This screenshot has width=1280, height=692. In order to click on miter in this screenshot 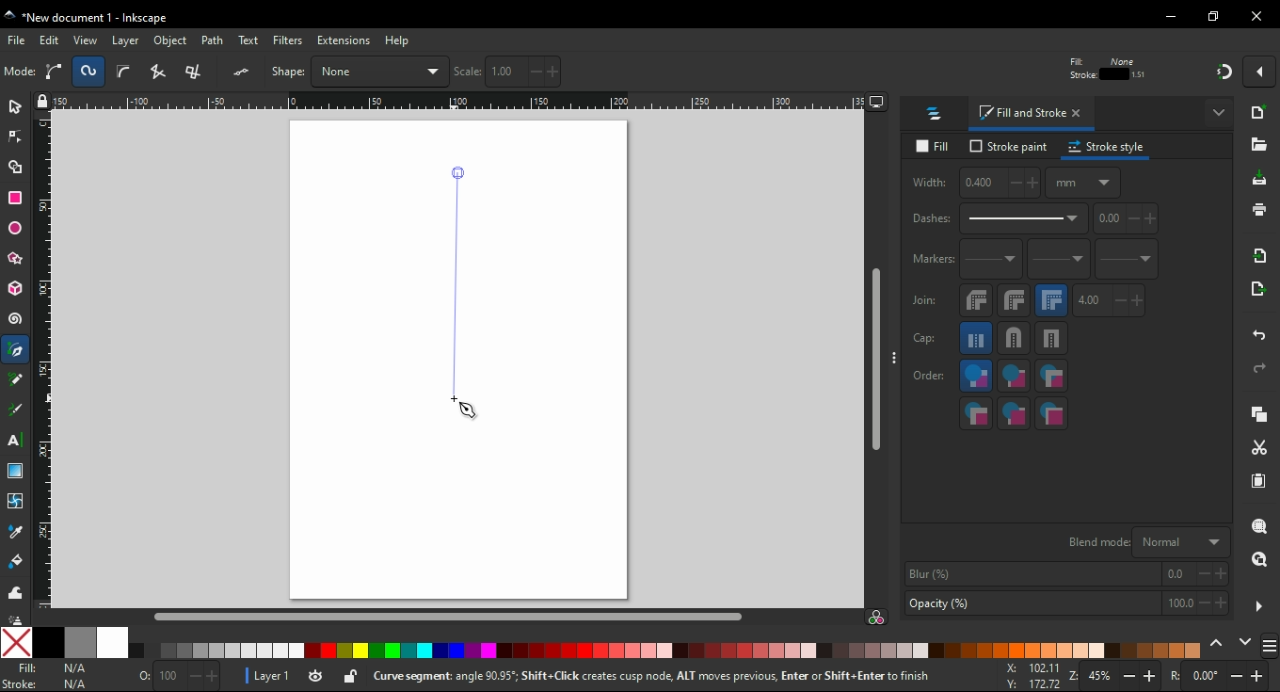, I will do `click(1051, 300)`.